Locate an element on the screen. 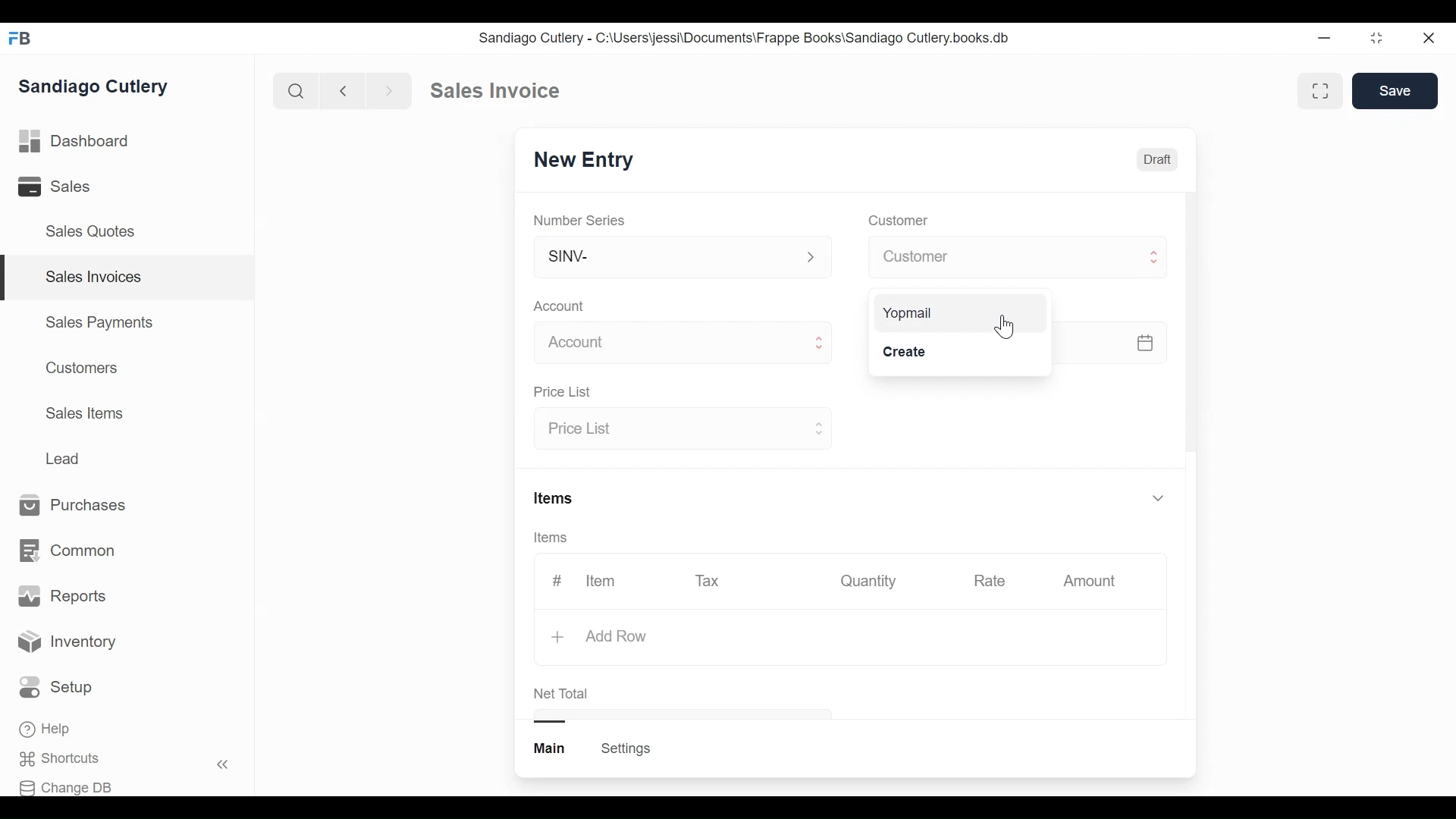 The width and height of the screenshot is (1456, 819). New Entry is located at coordinates (579, 162).